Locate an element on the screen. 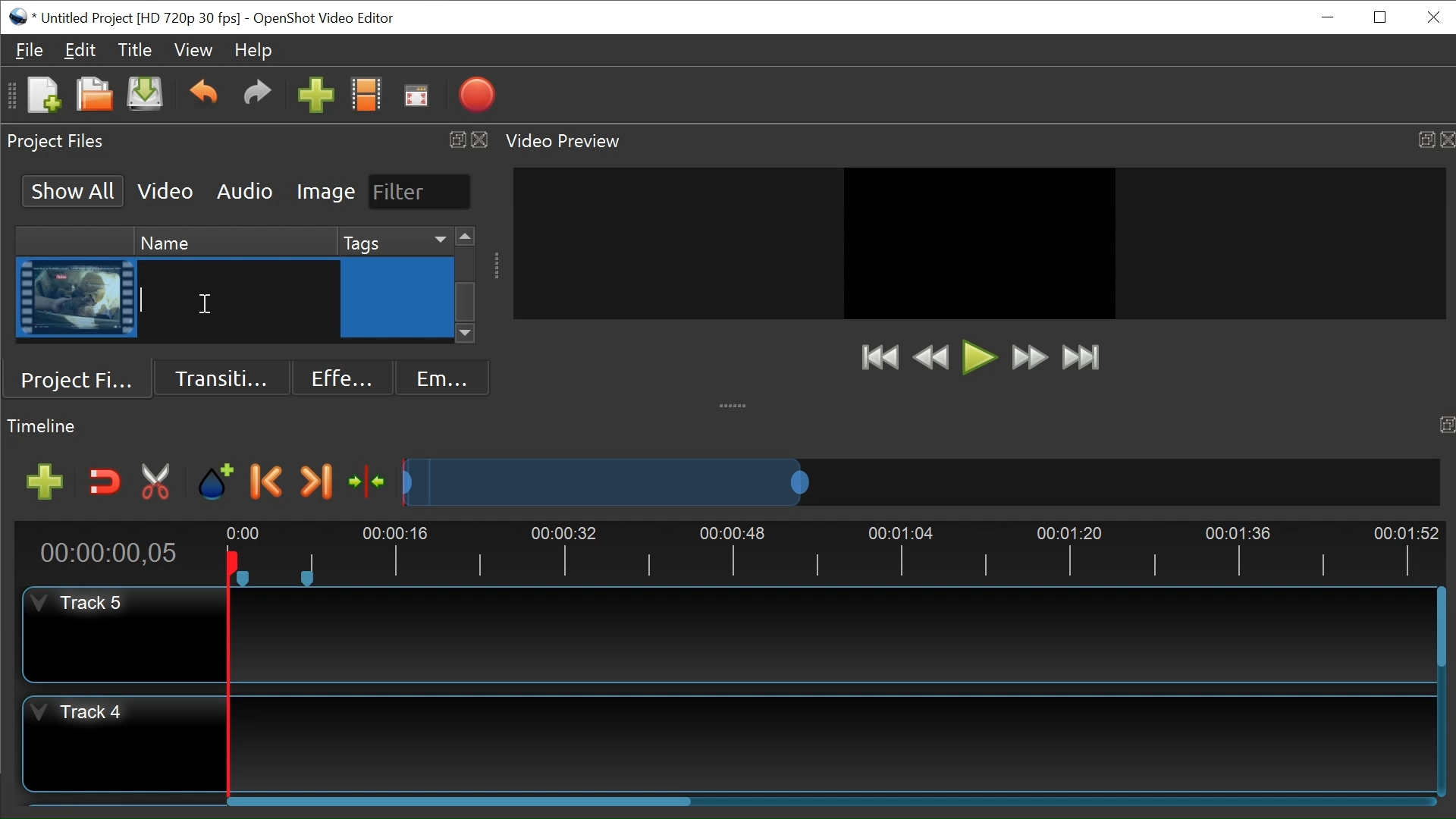 Image resolution: width=1456 pixels, height=819 pixels. Image is located at coordinates (326, 193).